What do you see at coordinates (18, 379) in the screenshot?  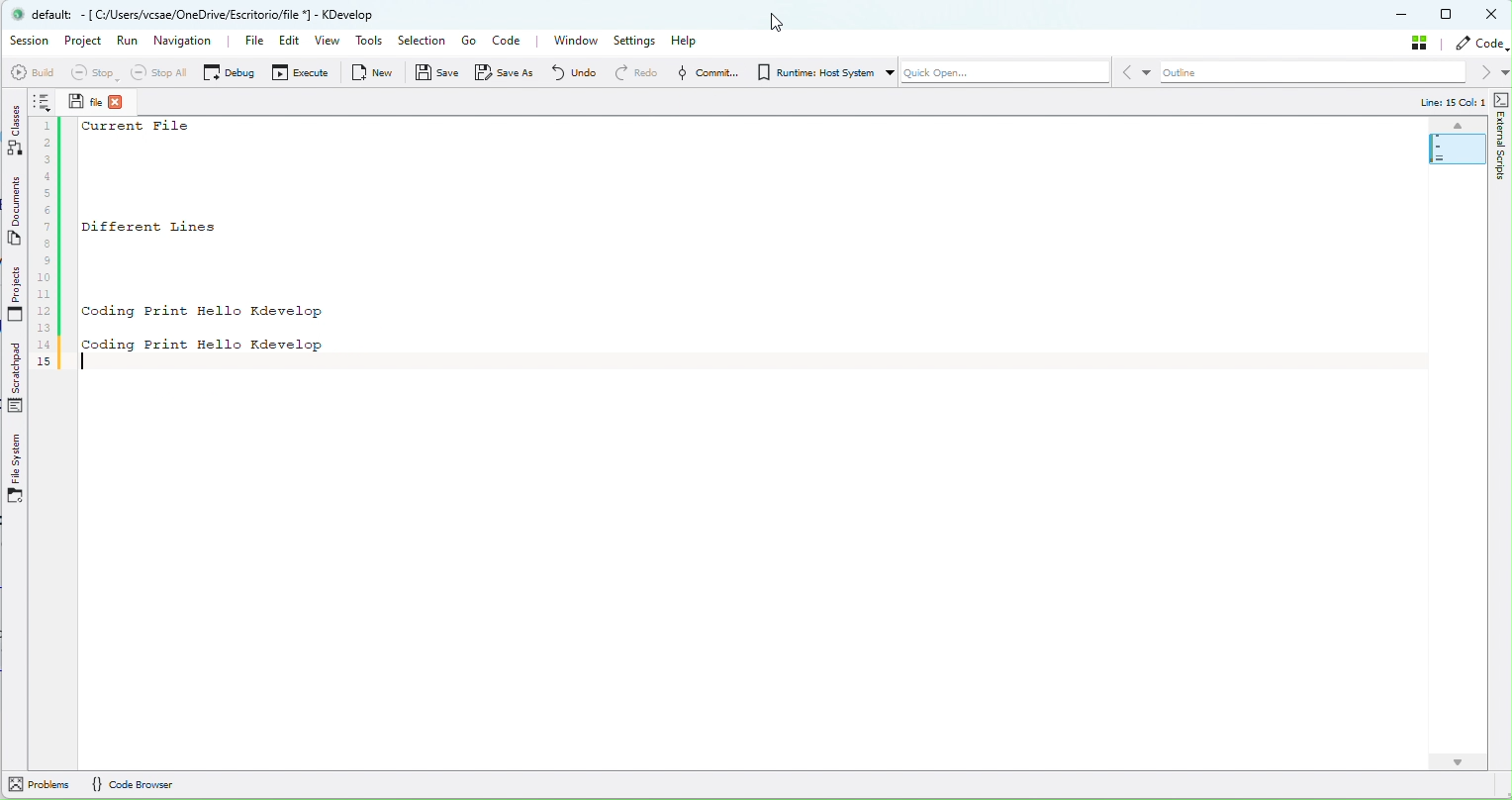 I see `Scratchpad` at bounding box center [18, 379].